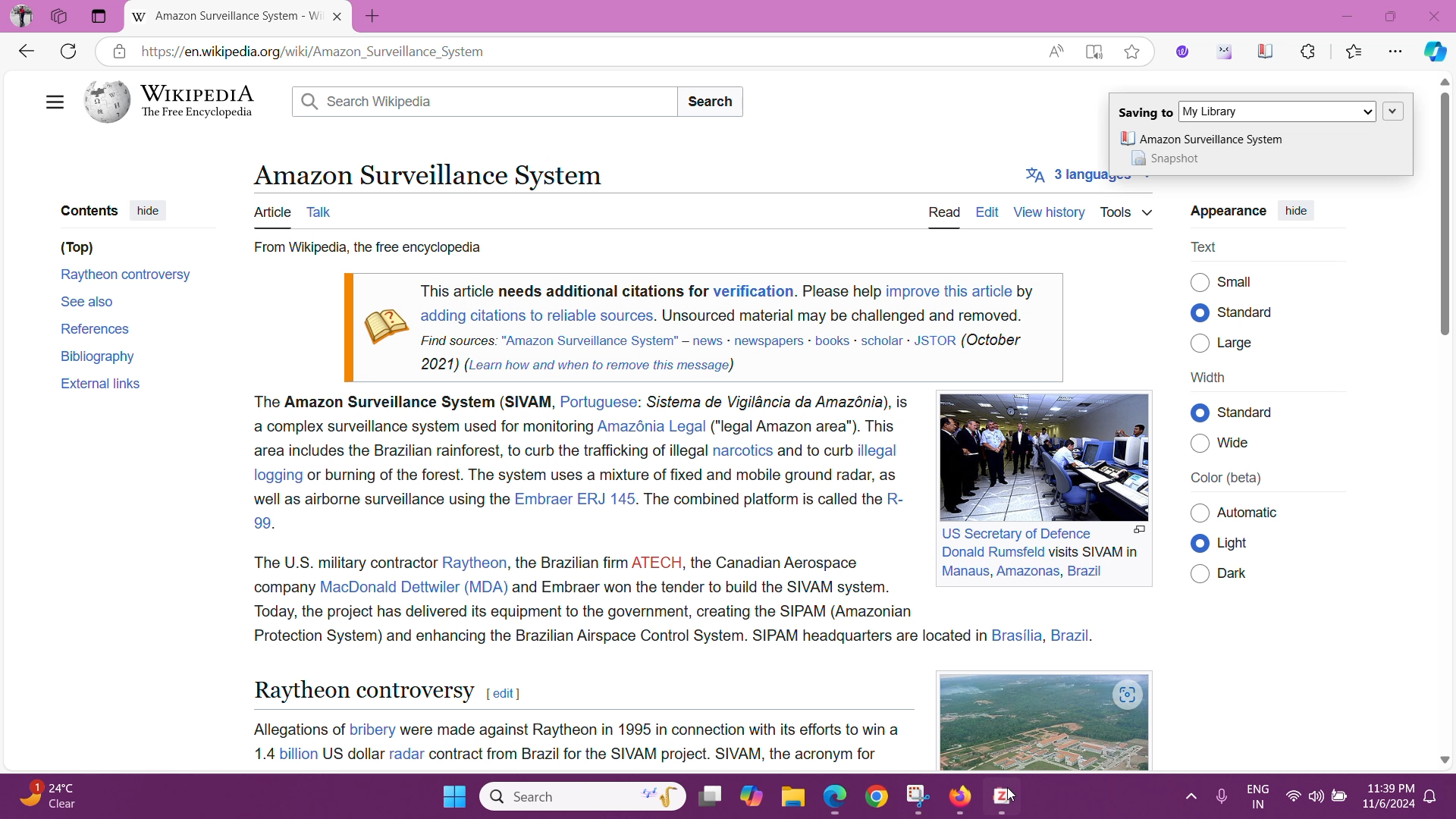  Describe the element at coordinates (1076, 177) in the screenshot. I see `3 languages` at that location.